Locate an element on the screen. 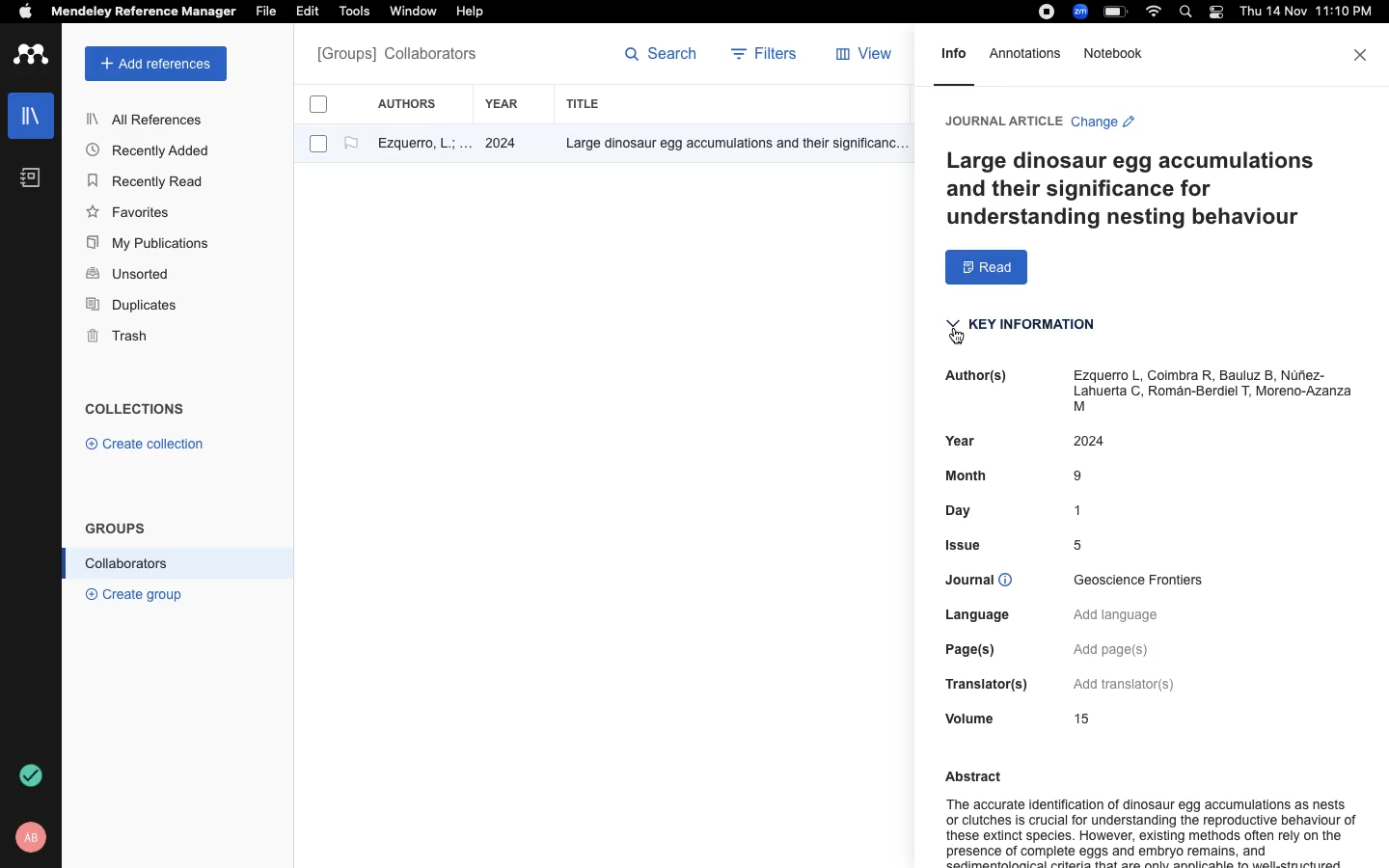 The height and width of the screenshot is (868, 1389). Mendeley Reference Manager is located at coordinates (144, 13).